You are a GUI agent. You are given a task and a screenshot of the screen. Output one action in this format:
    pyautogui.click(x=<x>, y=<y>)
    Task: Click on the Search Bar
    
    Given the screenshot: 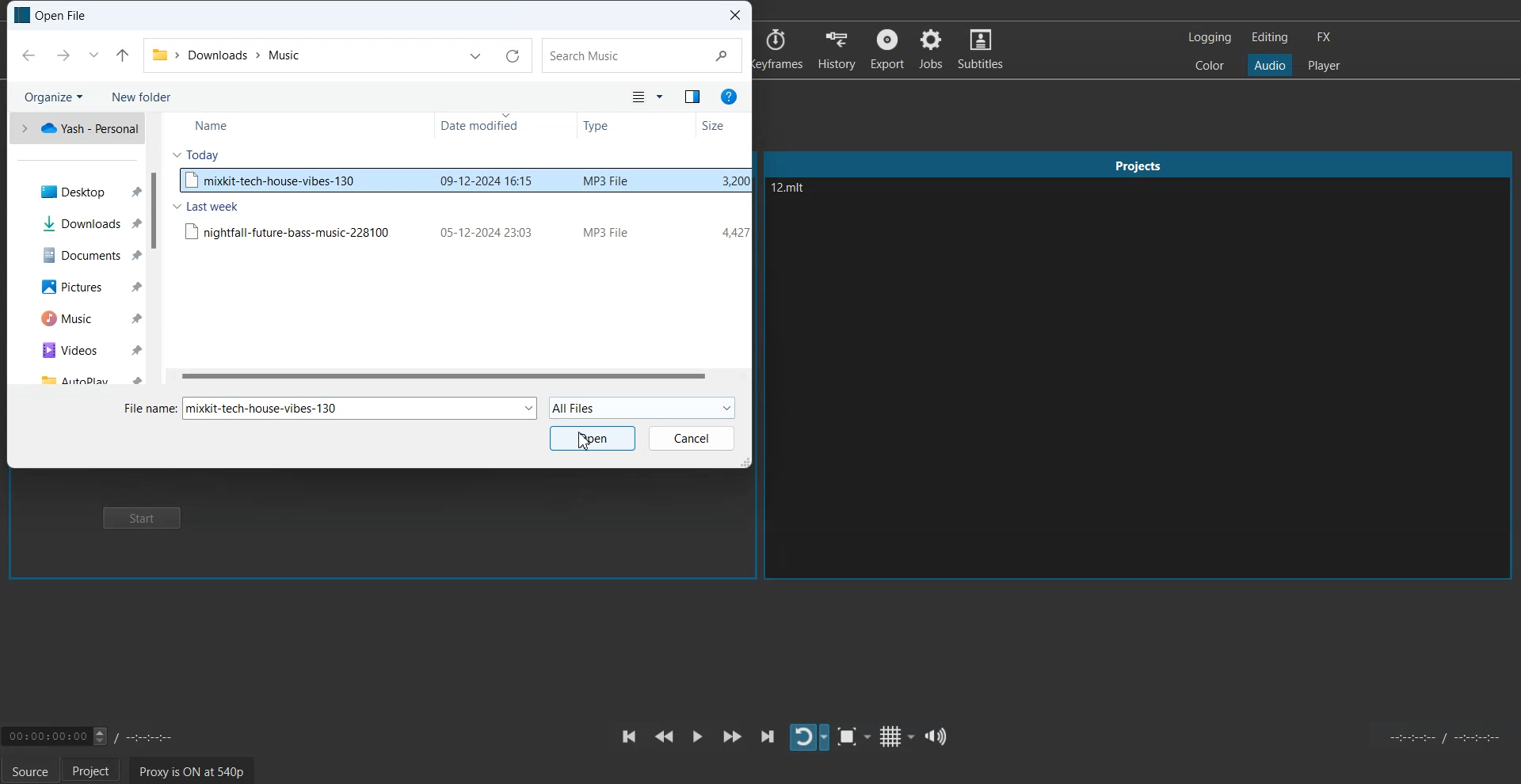 What is the action you would take?
    pyautogui.click(x=642, y=55)
    